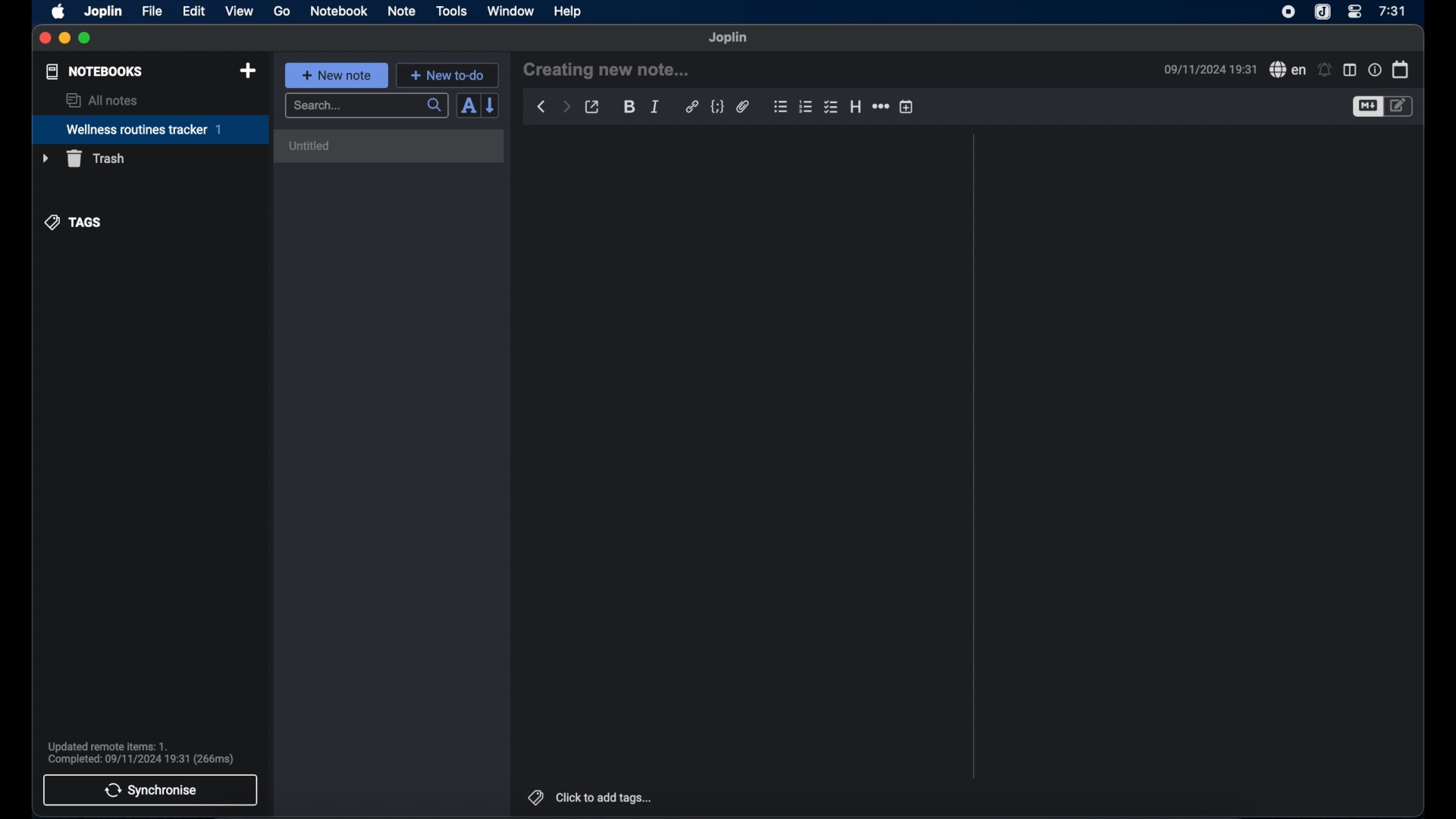 The image size is (1456, 819). What do you see at coordinates (1367, 106) in the screenshot?
I see `toggle editor` at bounding box center [1367, 106].